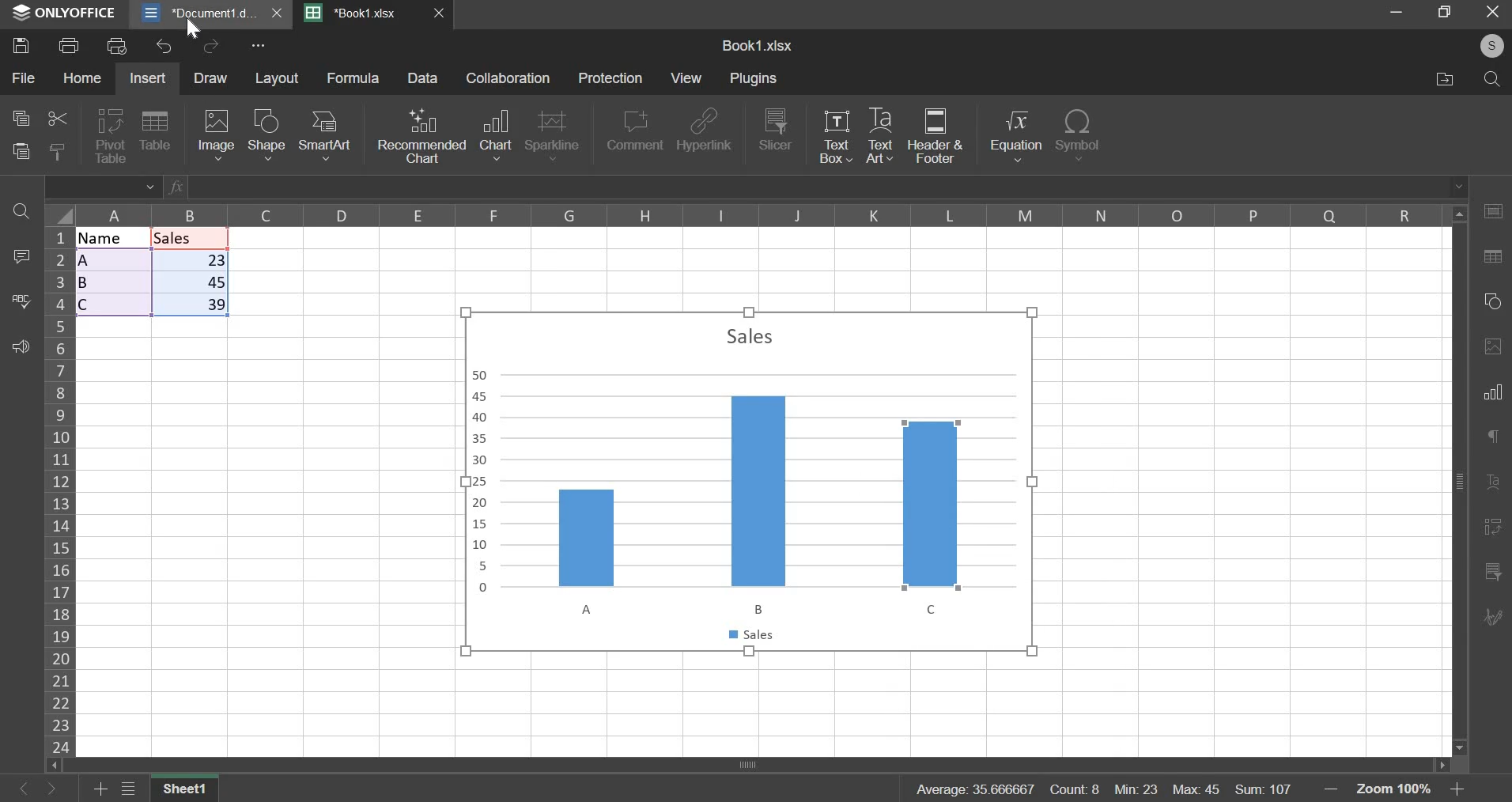 Image resolution: width=1512 pixels, height=802 pixels. I want to click on Horizontal scroll bar, so click(745, 764).